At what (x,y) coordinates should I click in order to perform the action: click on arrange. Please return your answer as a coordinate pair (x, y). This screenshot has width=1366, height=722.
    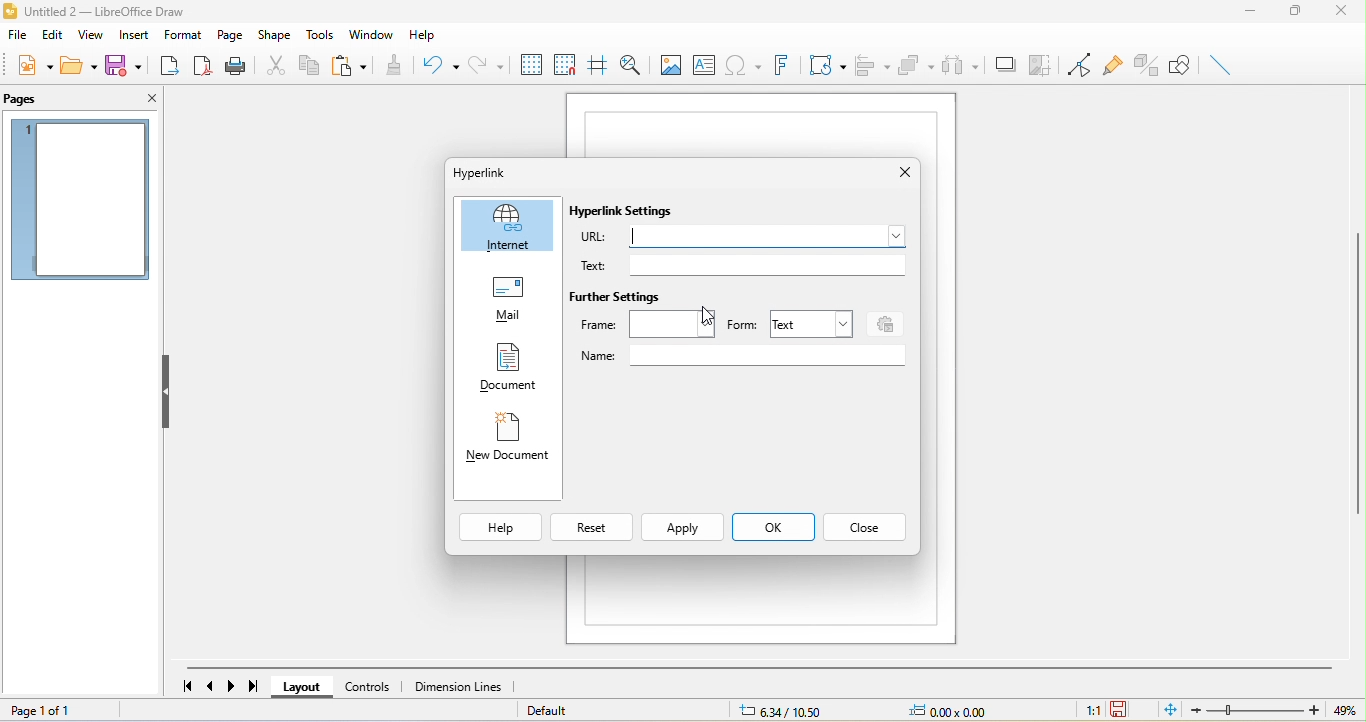
    Looking at the image, I should click on (917, 65).